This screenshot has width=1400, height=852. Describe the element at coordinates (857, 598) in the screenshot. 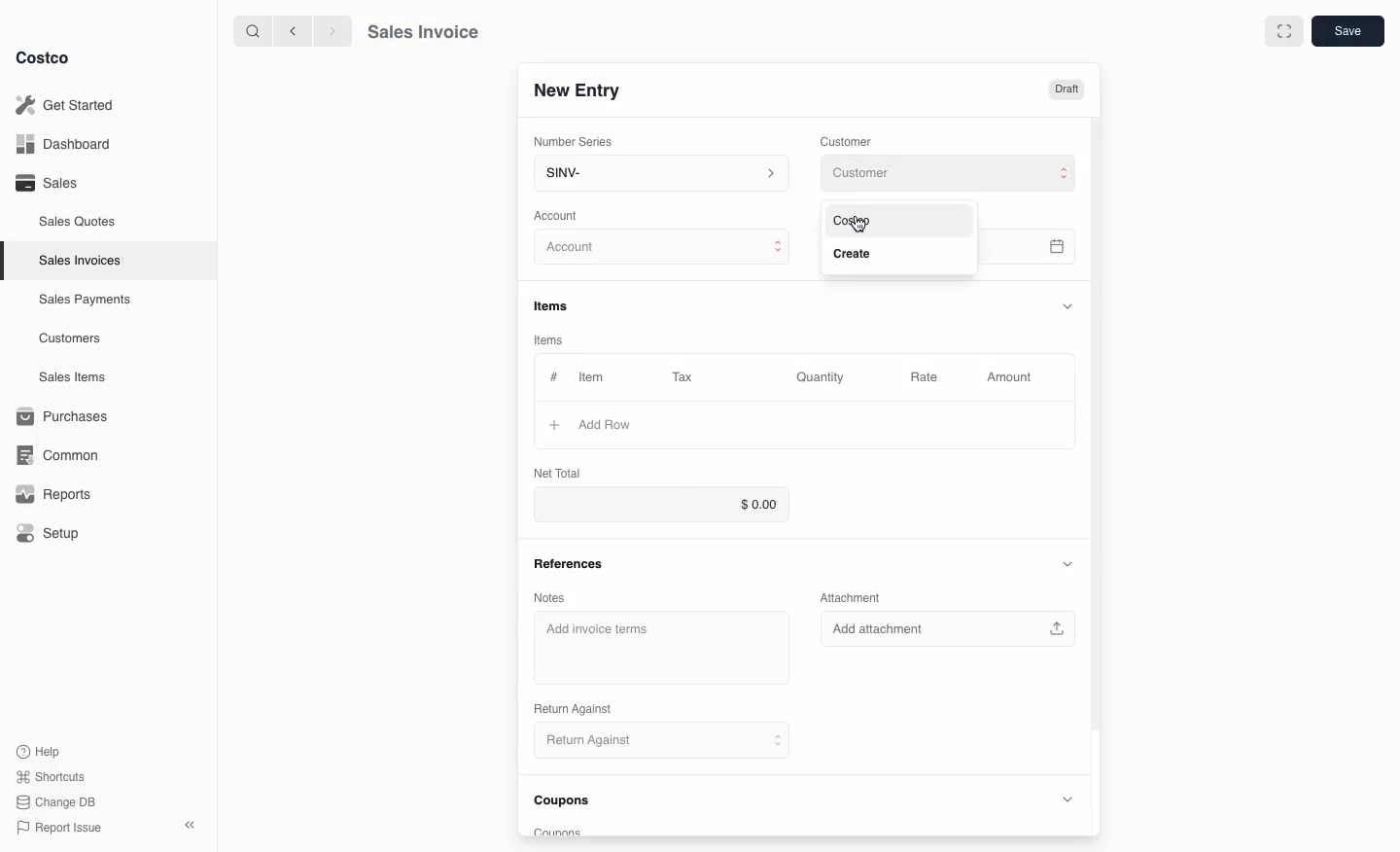

I see `Attachment` at that location.